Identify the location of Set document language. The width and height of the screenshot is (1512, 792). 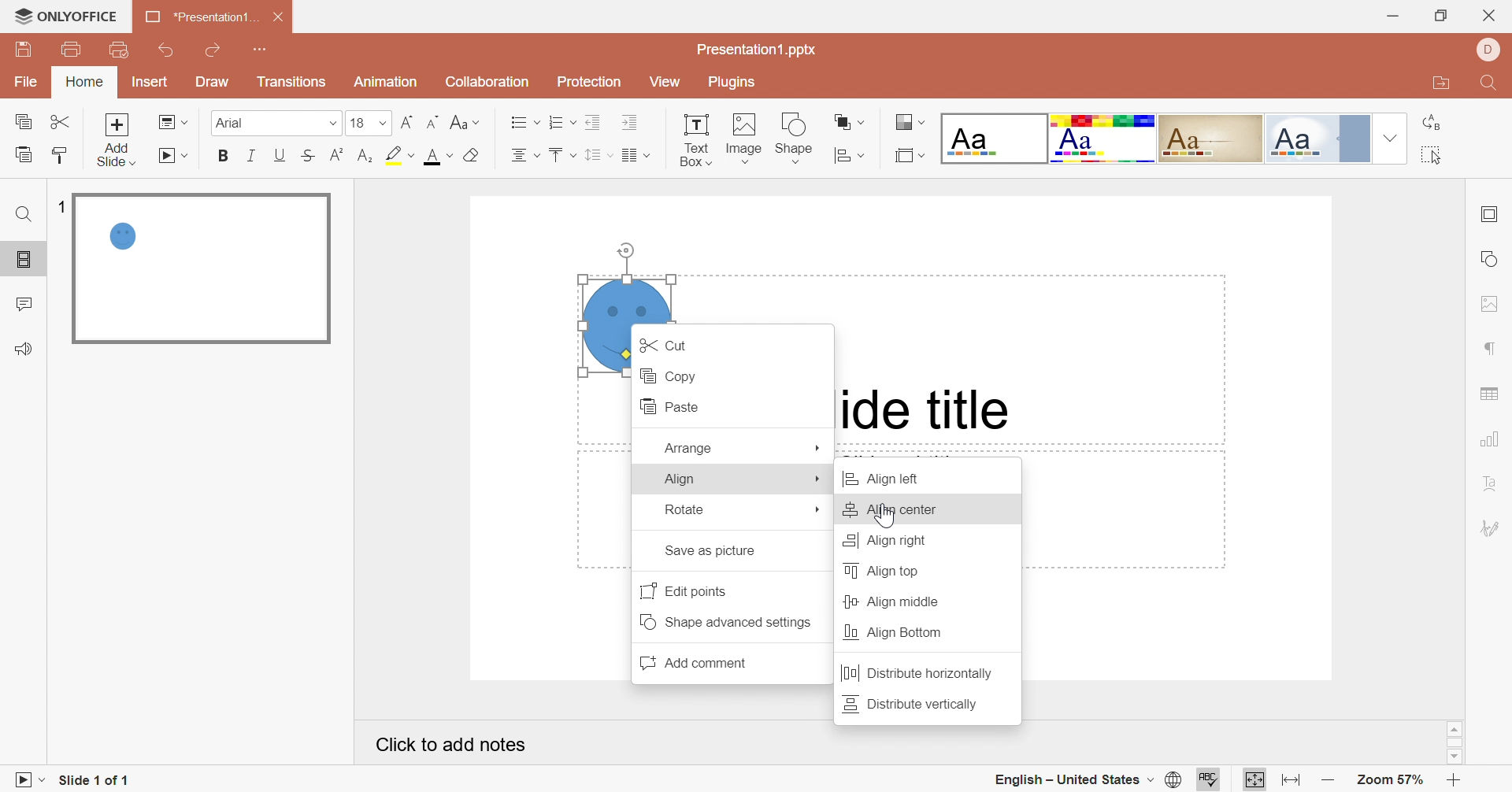
(1176, 781).